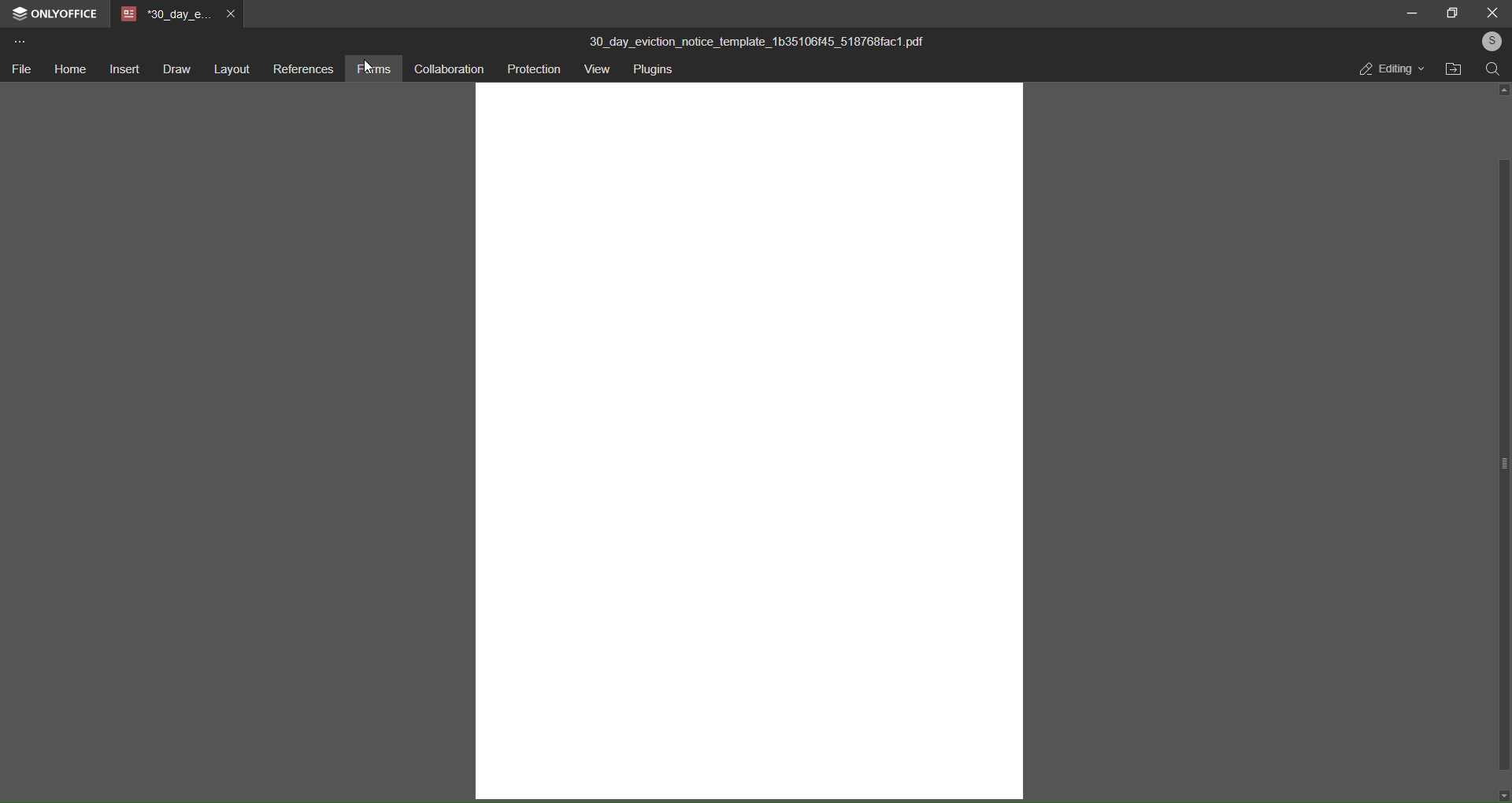 This screenshot has height=803, width=1512. I want to click on scroll bar, so click(1503, 447).